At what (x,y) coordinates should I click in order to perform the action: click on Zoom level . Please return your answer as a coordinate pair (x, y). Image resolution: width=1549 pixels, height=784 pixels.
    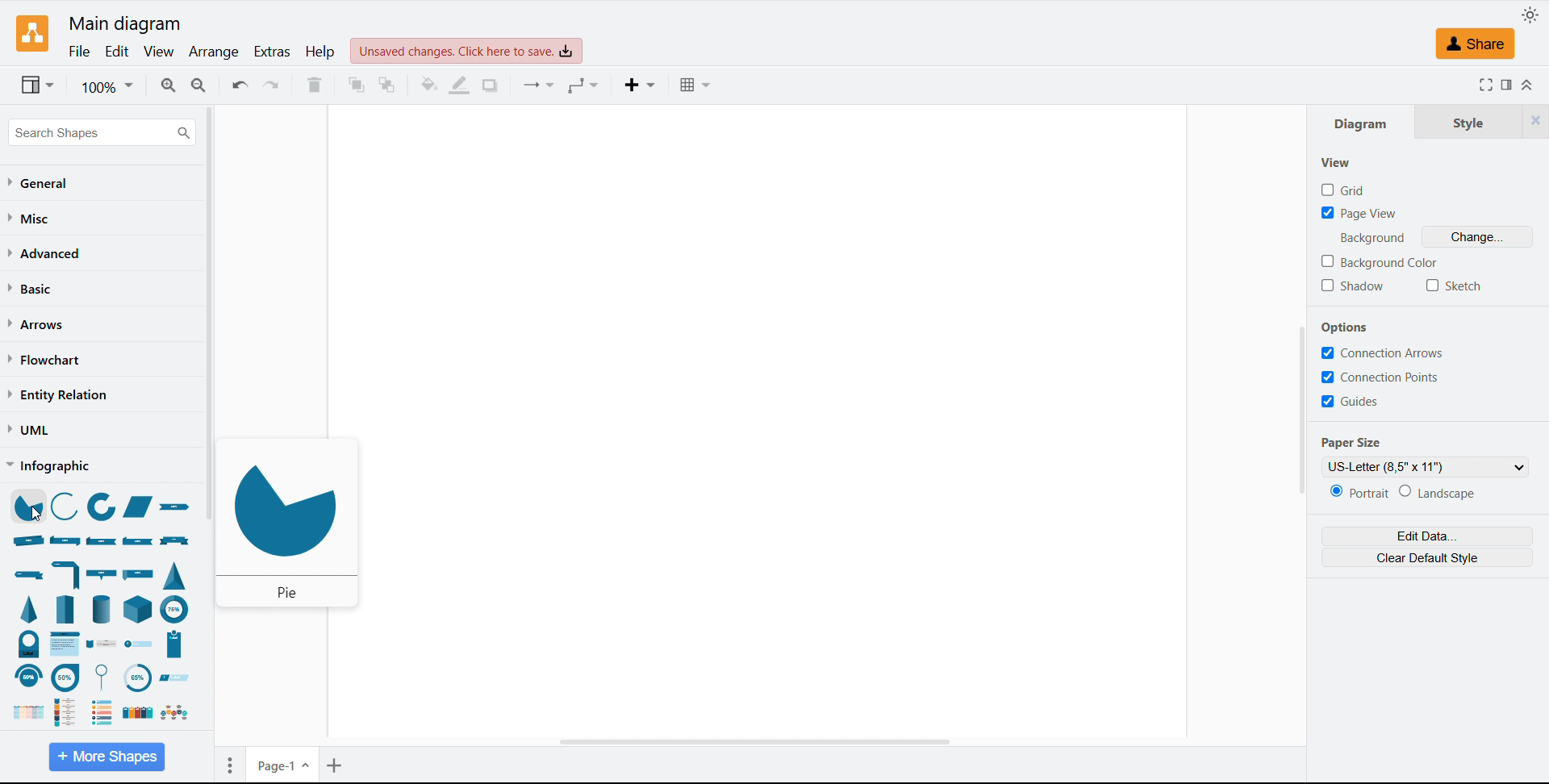
    Looking at the image, I should click on (108, 87).